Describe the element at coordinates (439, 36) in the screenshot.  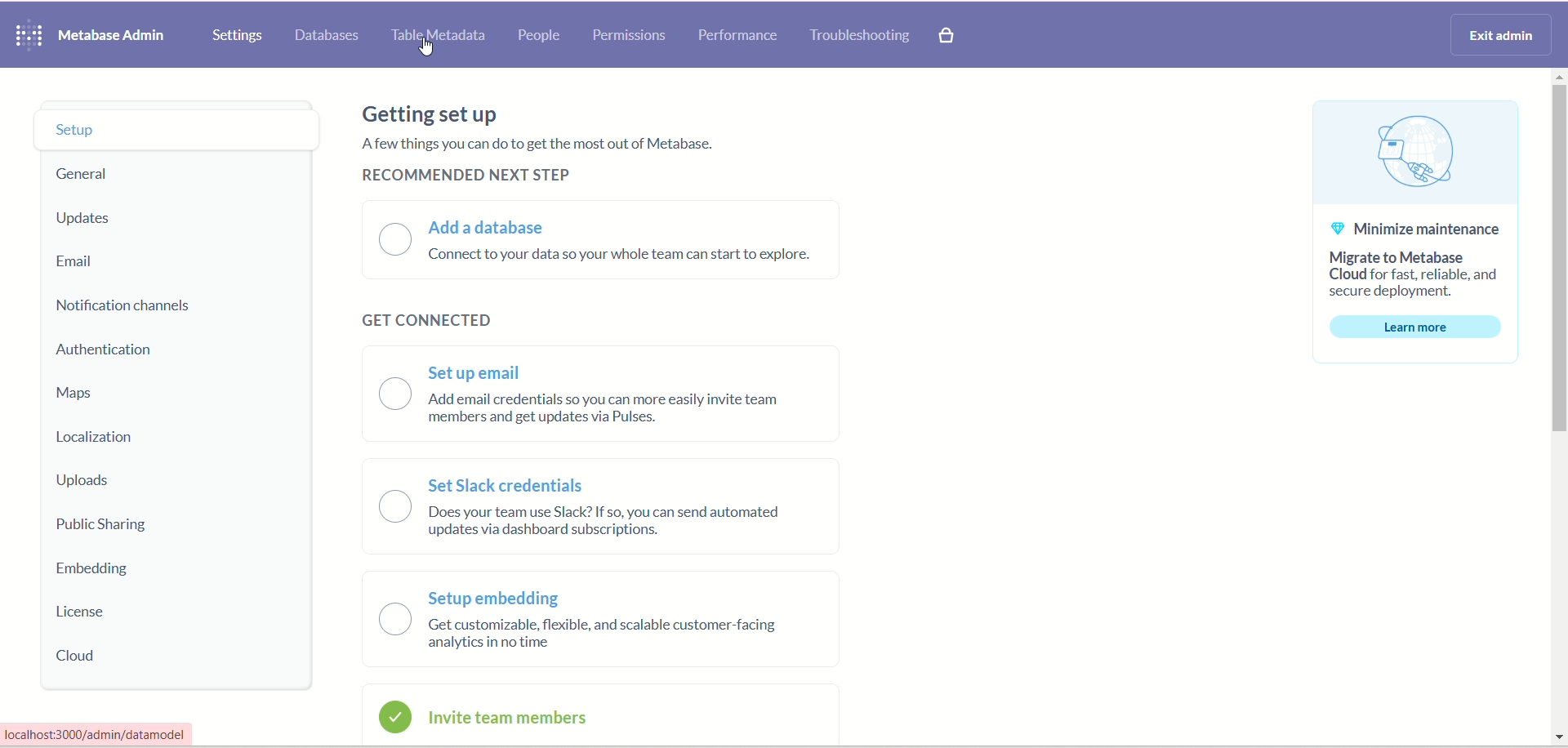
I see `table metadata` at that location.